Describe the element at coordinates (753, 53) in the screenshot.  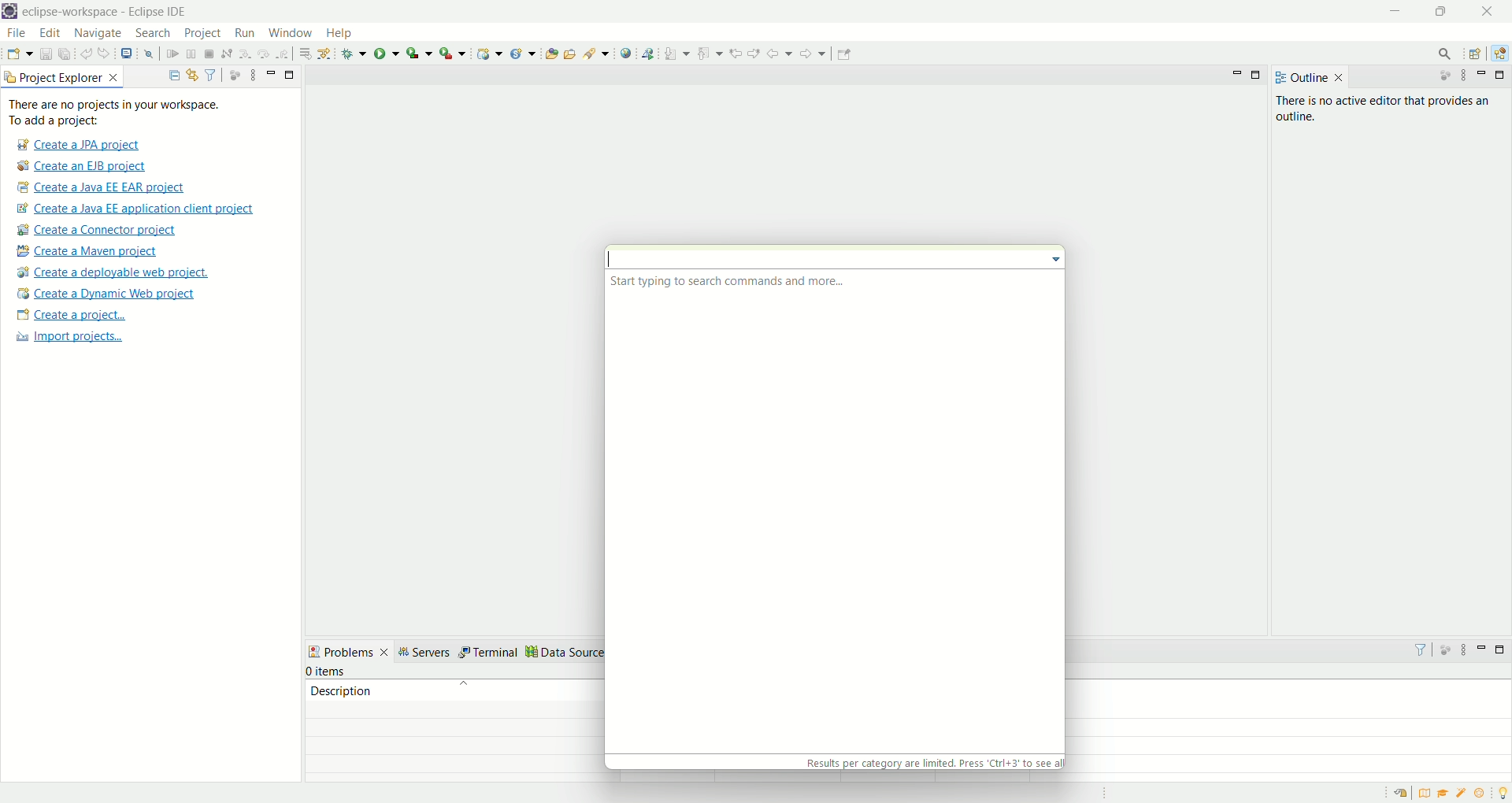
I see `next edit location` at that location.